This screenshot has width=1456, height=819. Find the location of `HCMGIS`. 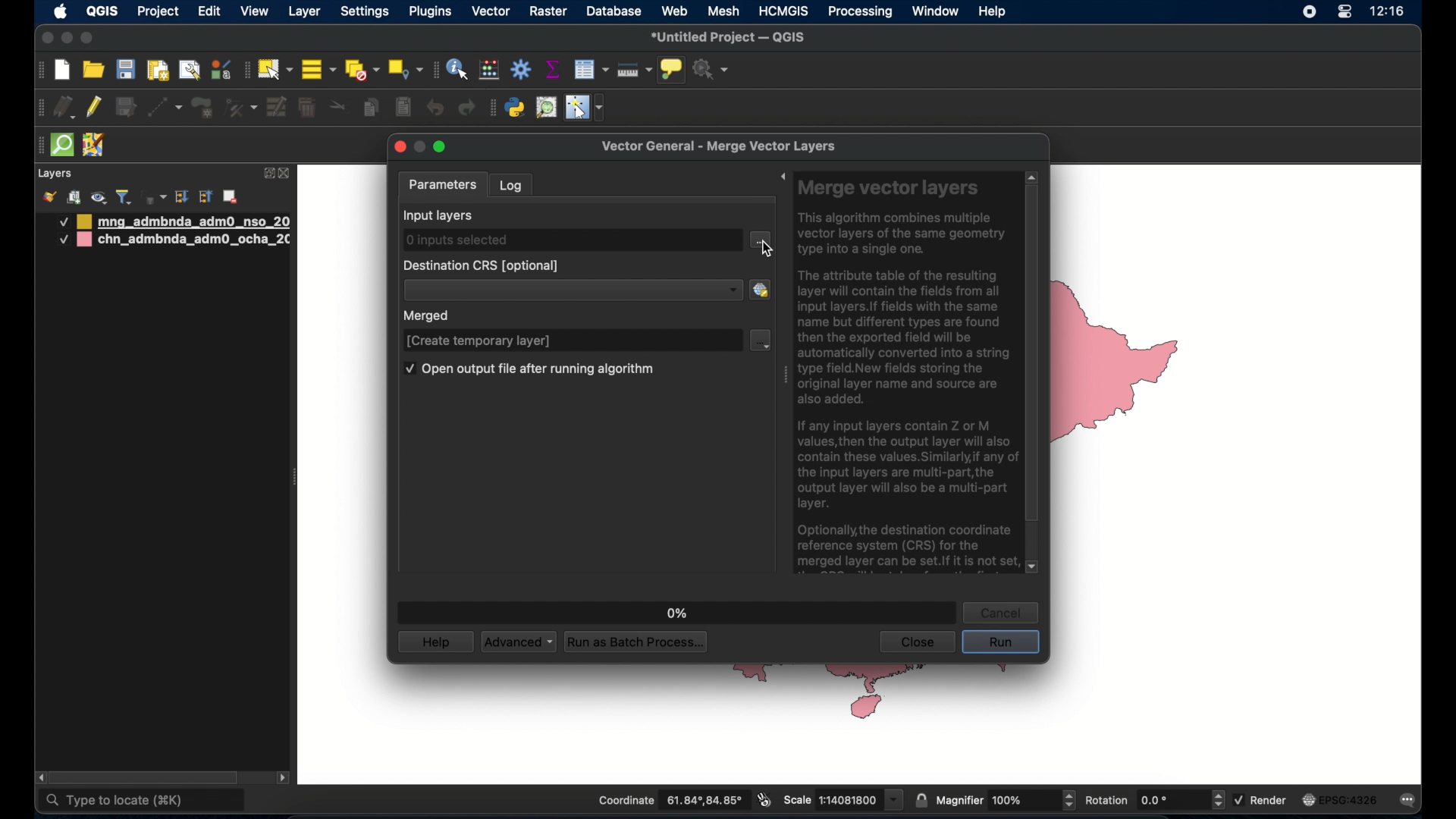

HCMGIS is located at coordinates (783, 11).